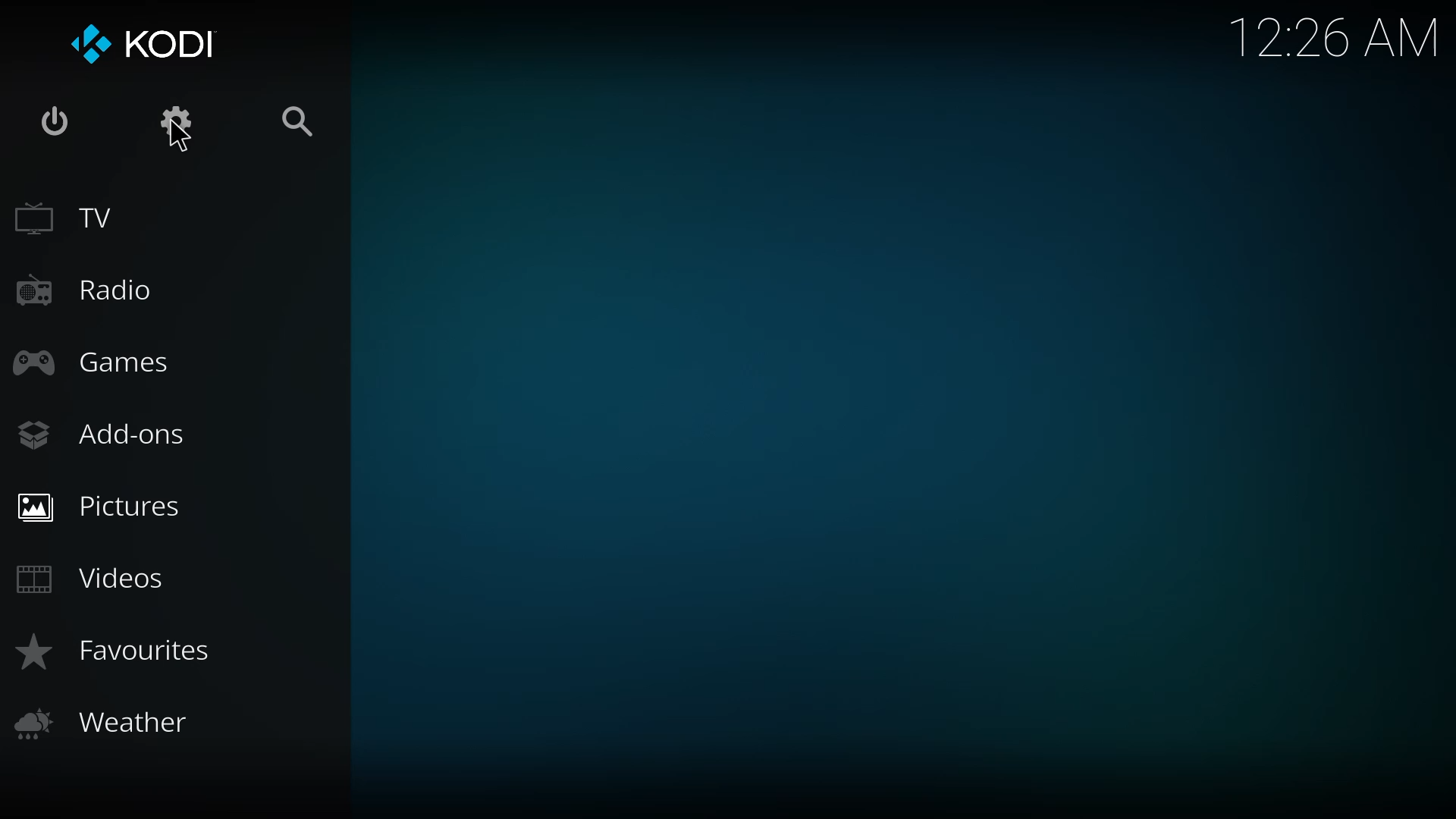 This screenshot has height=819, width=1456. What do you see at coordinates (1334, 38) in the screenshot?
I see `time` at bounding box center [1334, 38].